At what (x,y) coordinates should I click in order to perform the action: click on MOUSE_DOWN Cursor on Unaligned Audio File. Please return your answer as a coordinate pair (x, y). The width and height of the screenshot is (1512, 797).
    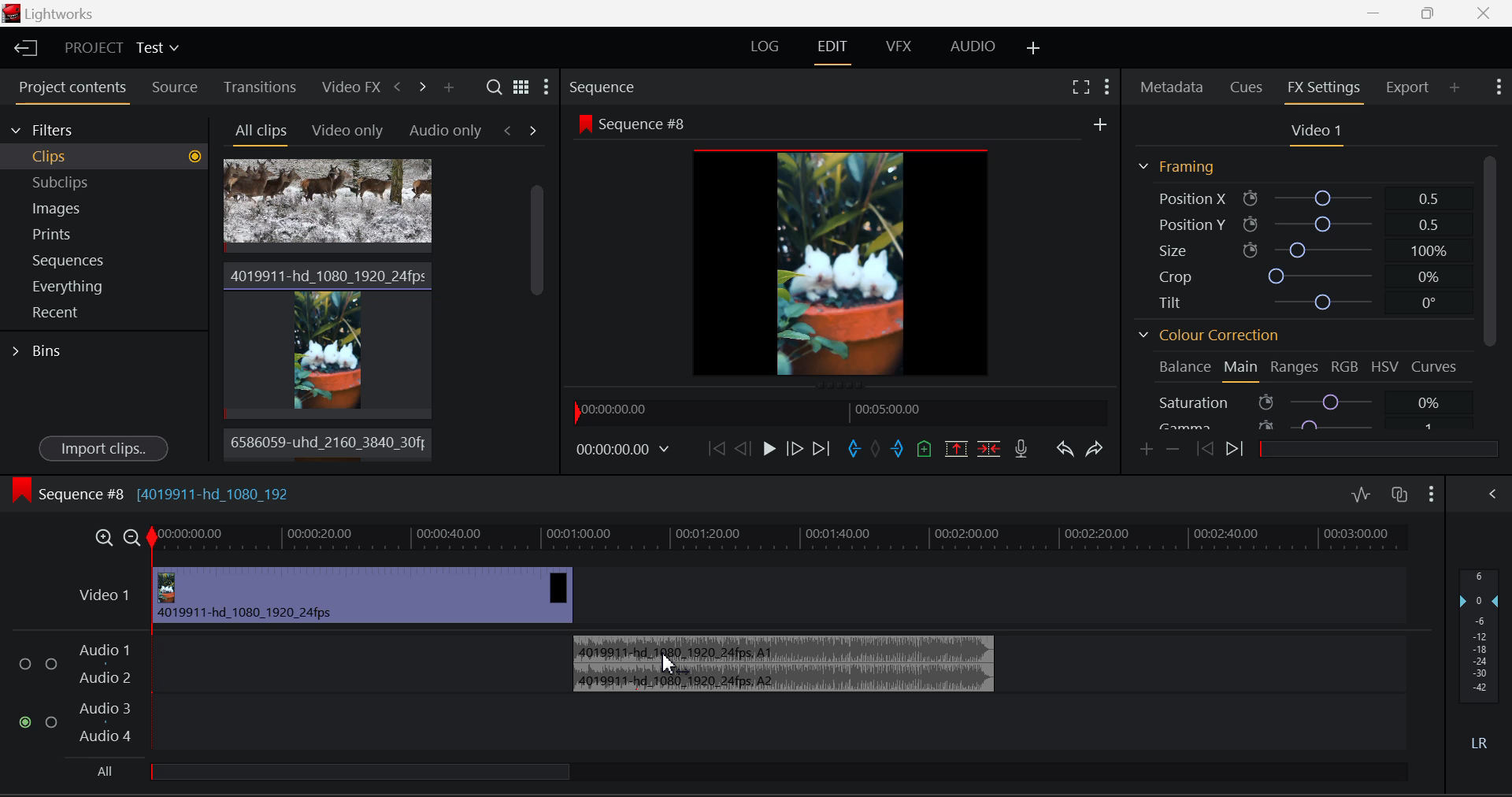
    Looking at the image, I should click on (781, 661).